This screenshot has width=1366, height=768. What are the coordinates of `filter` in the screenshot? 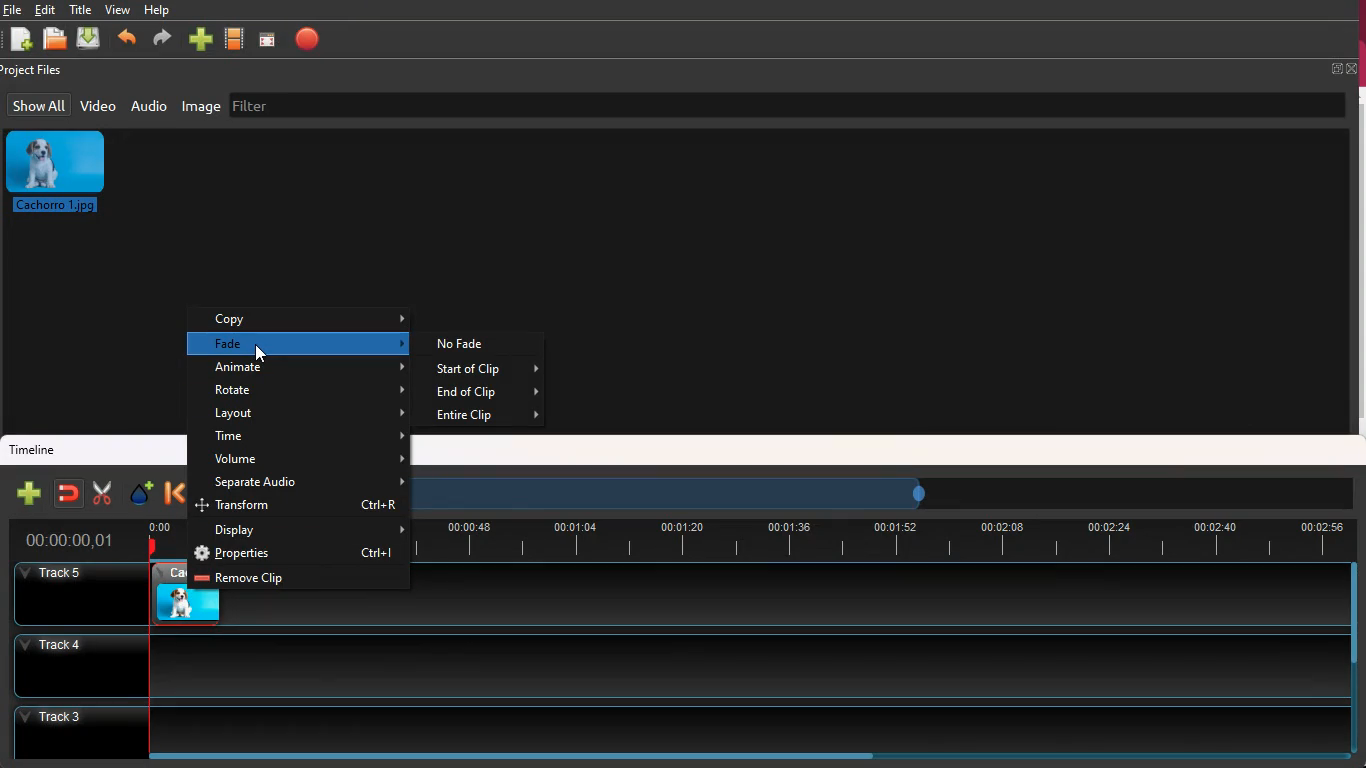 It's located at (260, 105).